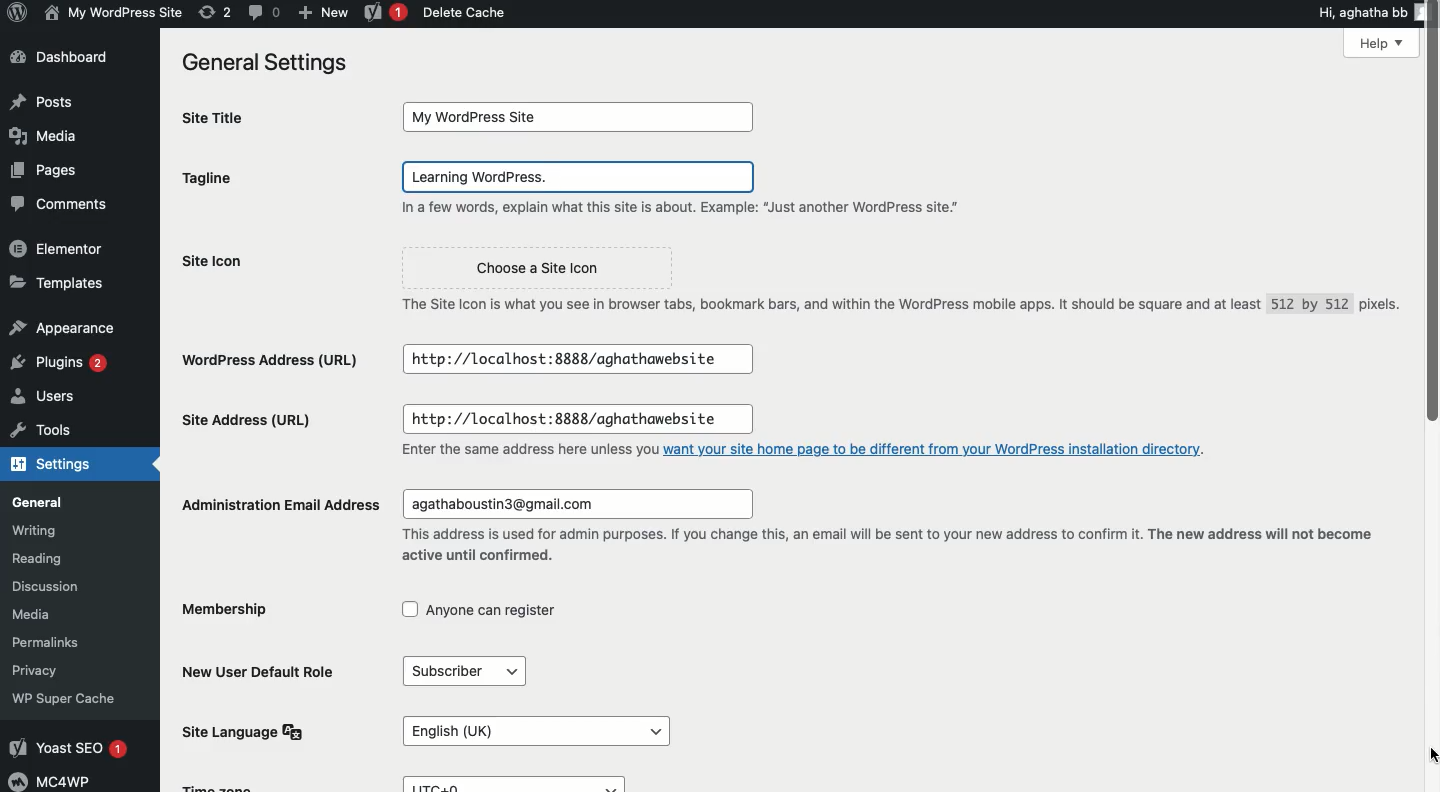 This screenshot has height=792, width=1440. I want to click on Enter the same address here unless you, so click(516, 449).